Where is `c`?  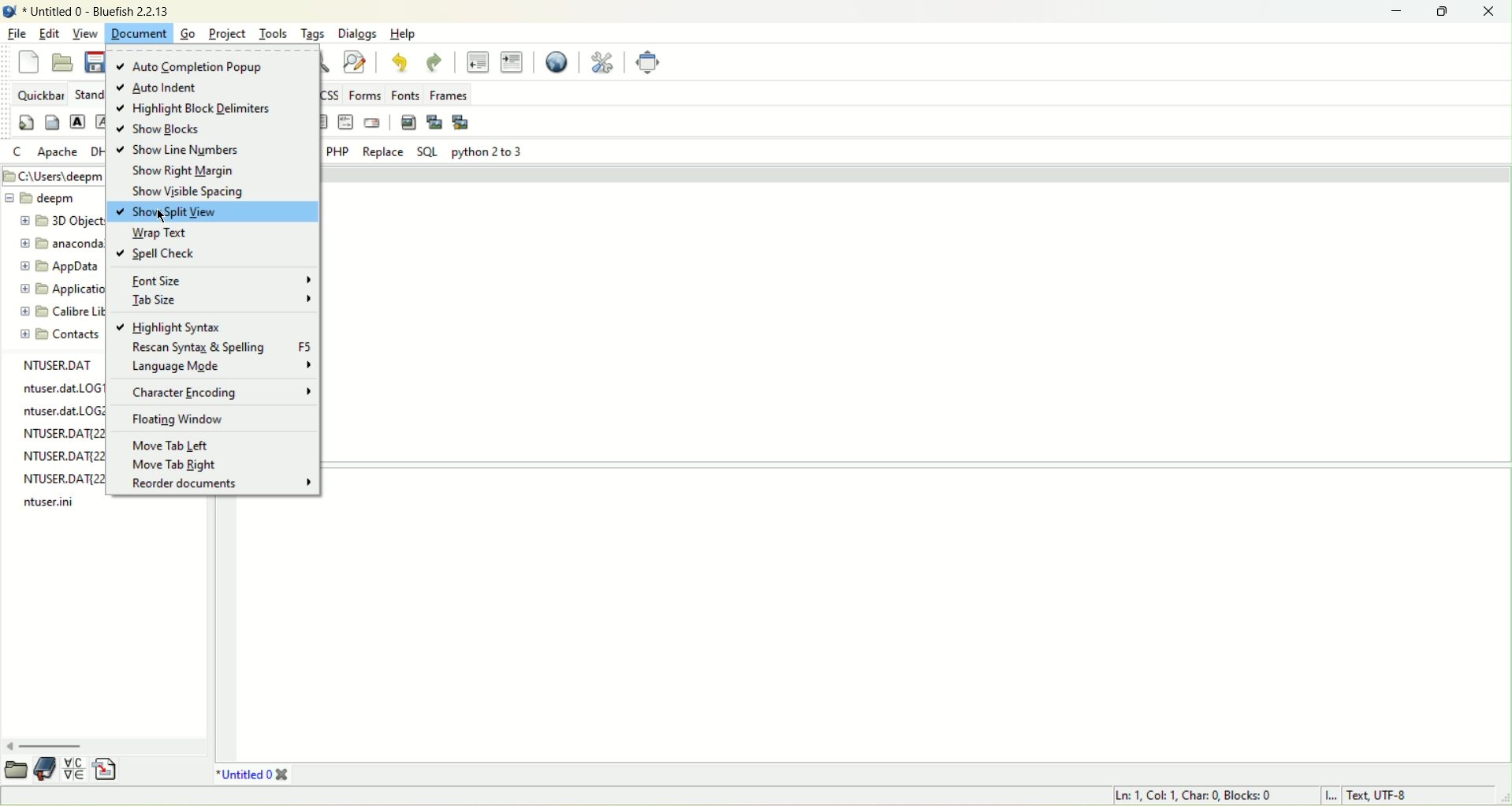 c is located at coordinates (19, 151).